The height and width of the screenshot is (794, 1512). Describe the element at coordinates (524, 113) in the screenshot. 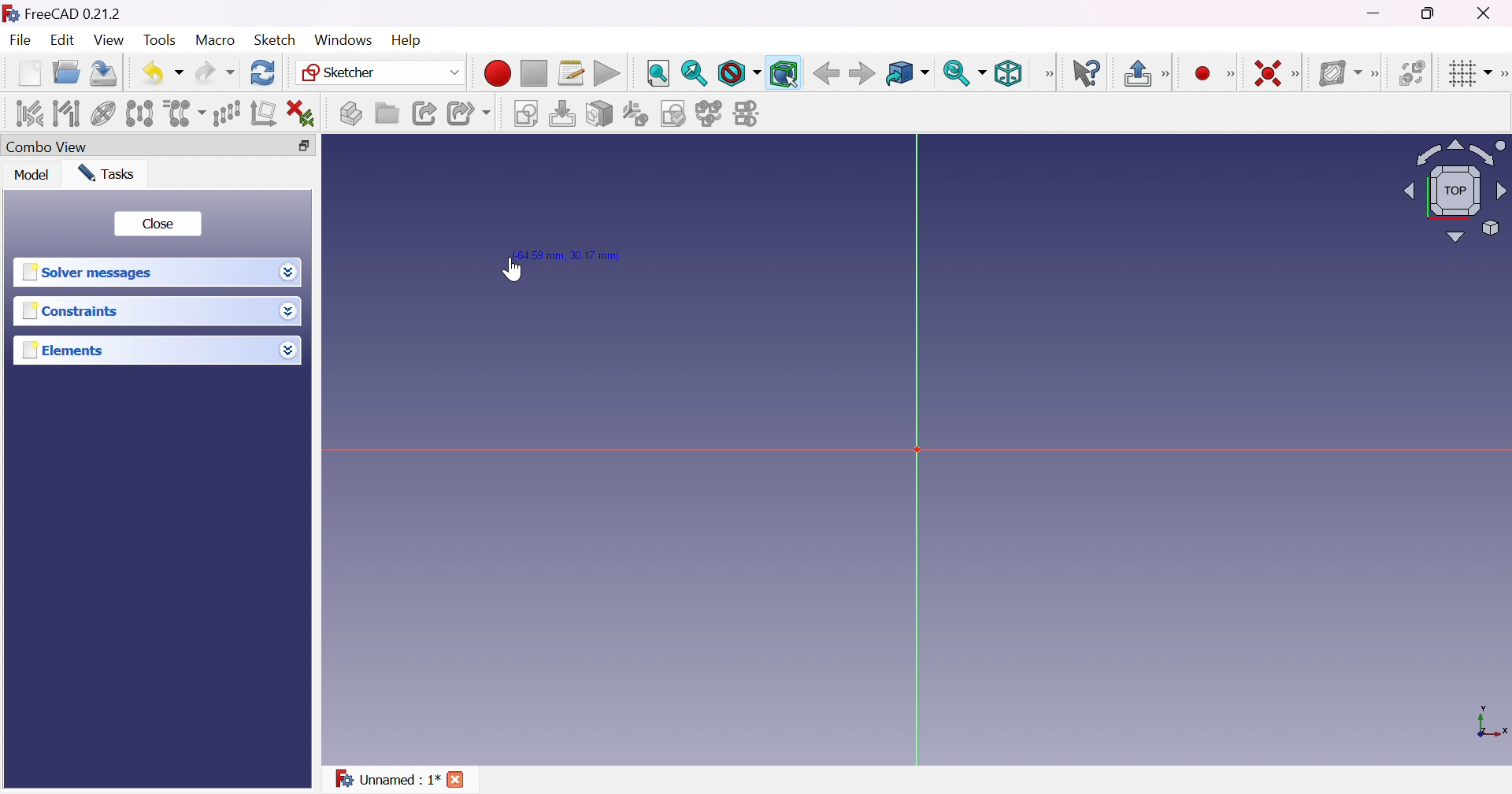

I see `Create sketch` at that location.